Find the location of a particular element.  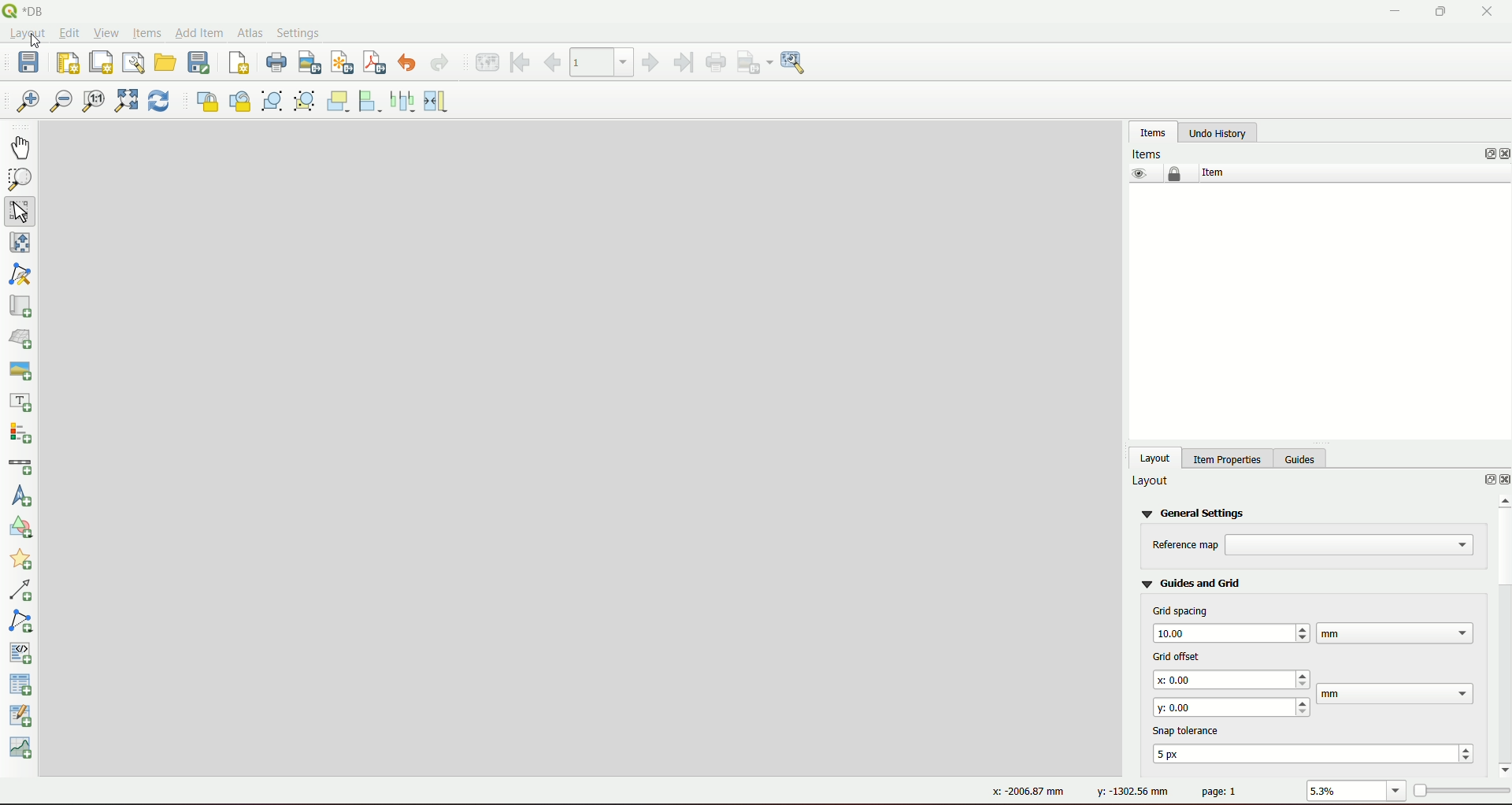

add legend is located at coordinates (23, 434).